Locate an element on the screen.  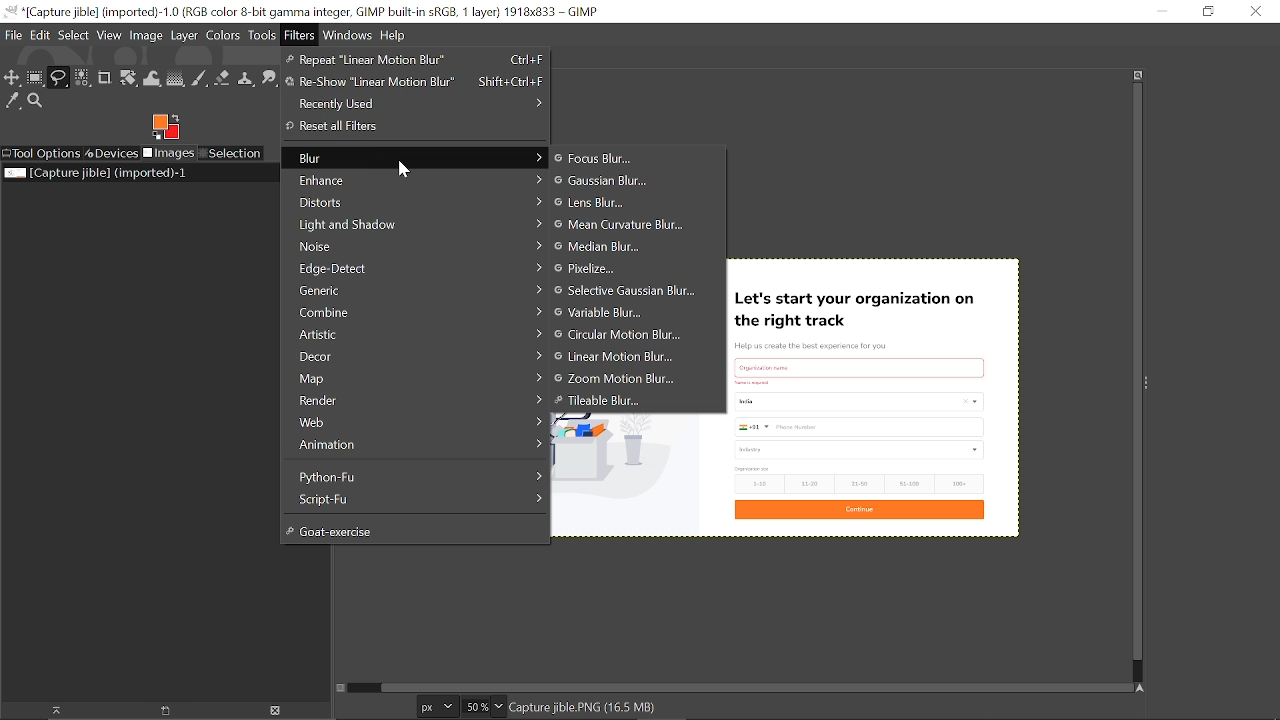
Repeat "Linear motion Blur" is located at coordinates (415, 60).